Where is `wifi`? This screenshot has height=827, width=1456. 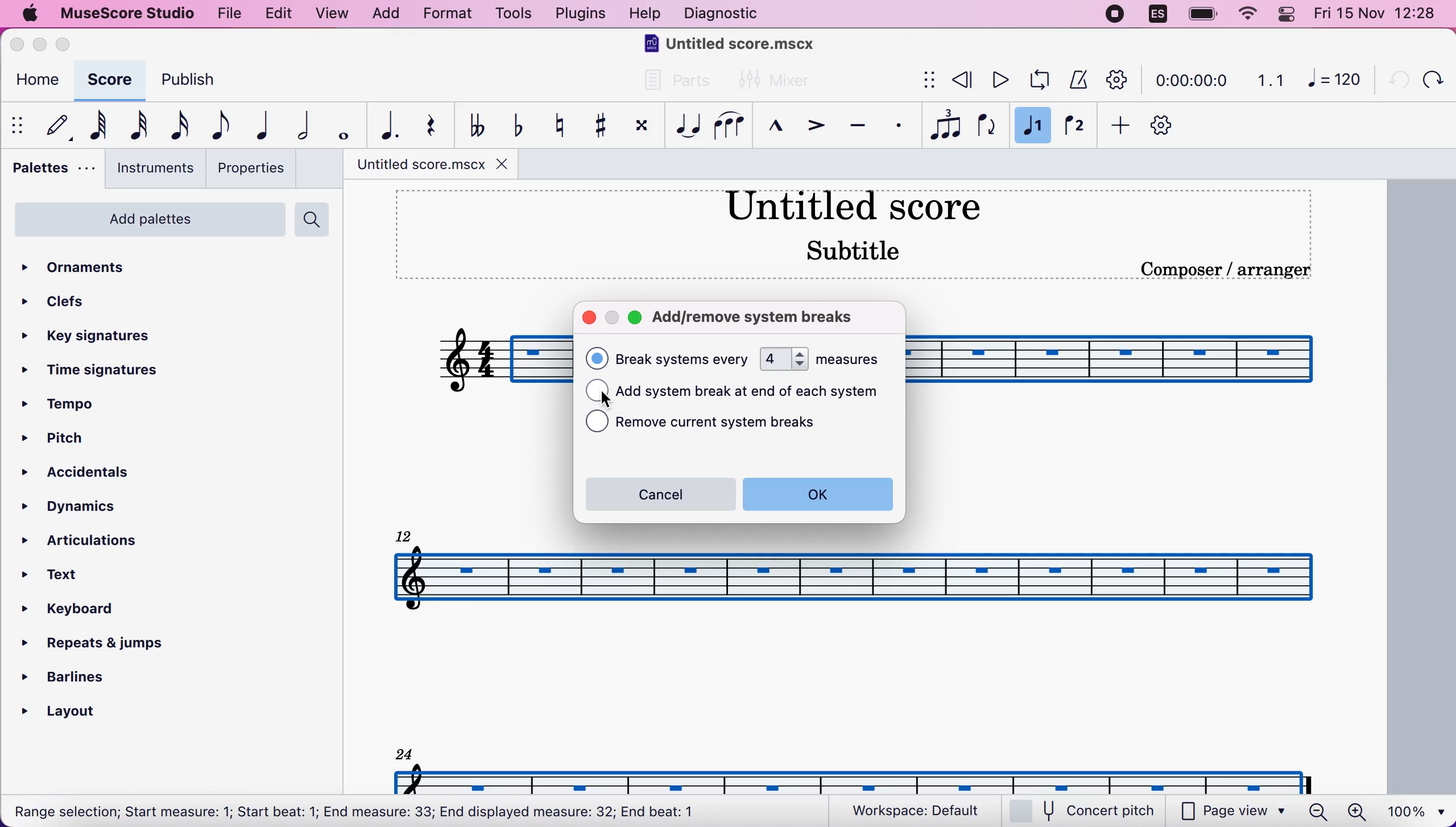 wifi is located at coordinates (1246, 14).